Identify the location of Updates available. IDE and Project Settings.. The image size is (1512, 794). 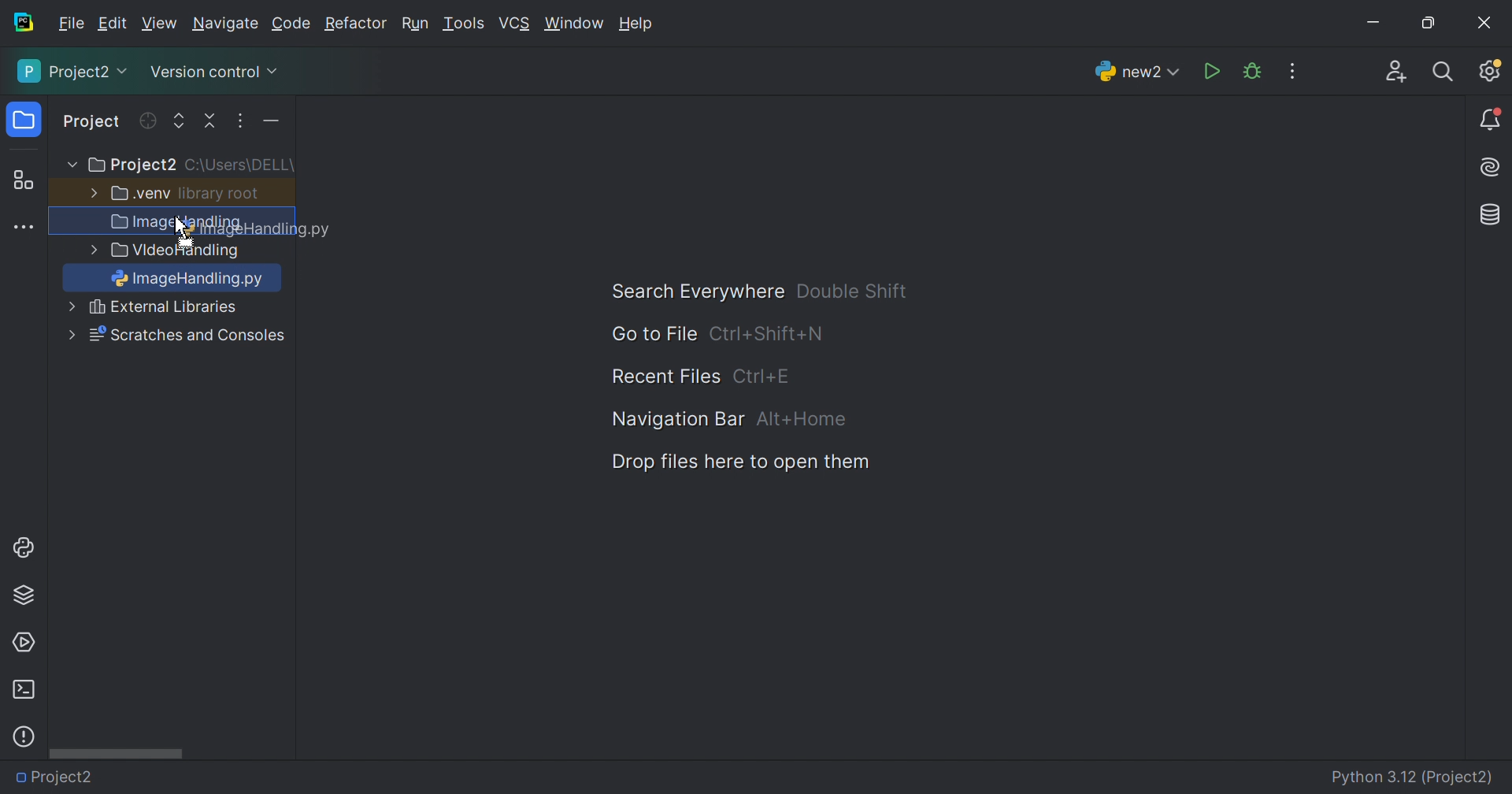
(1489, 70).